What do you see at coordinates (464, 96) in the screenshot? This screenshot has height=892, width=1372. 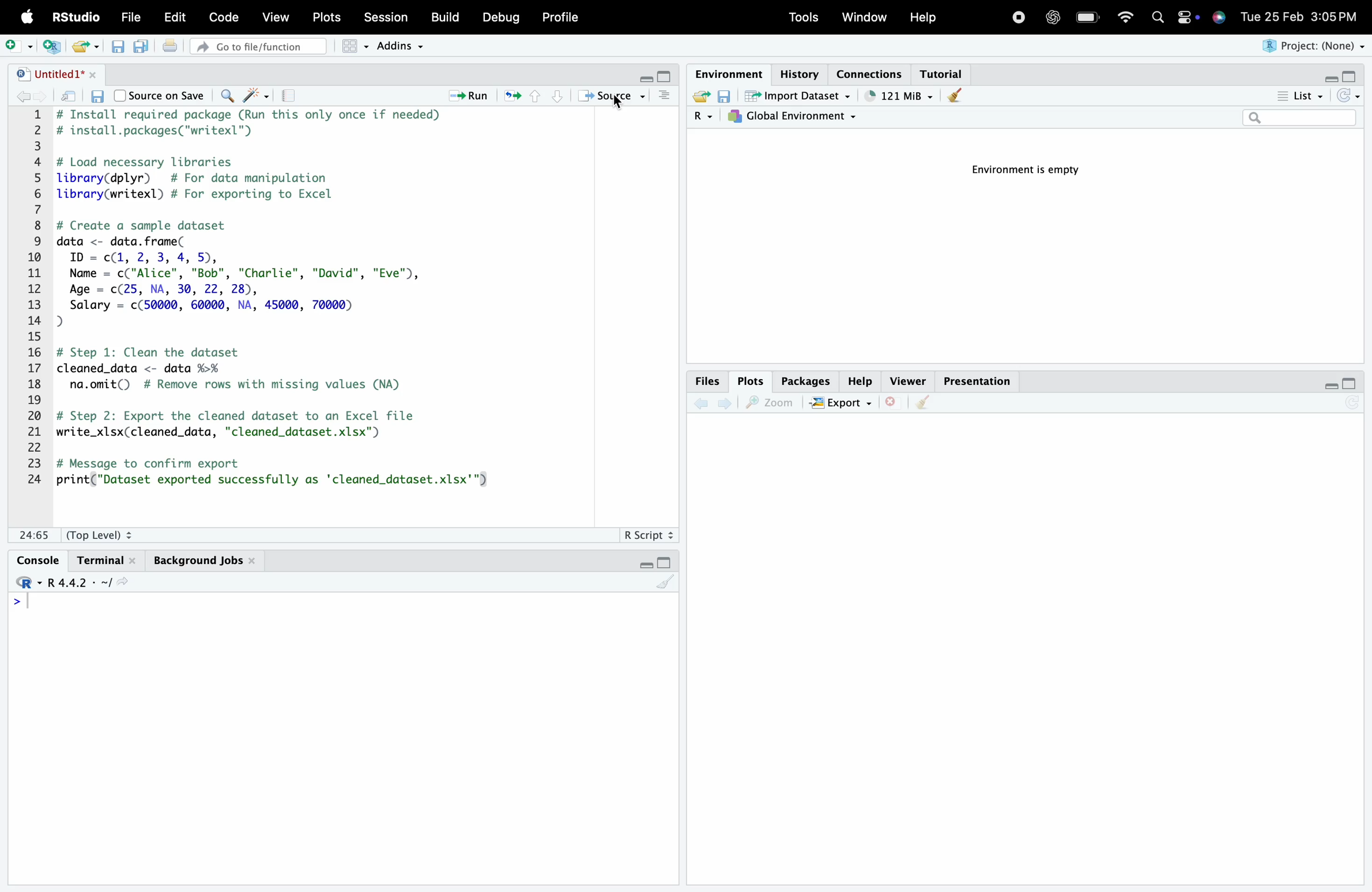 I see `Run the current line or selection (Ctrl + Enter)` at bounding box center [464, 96].